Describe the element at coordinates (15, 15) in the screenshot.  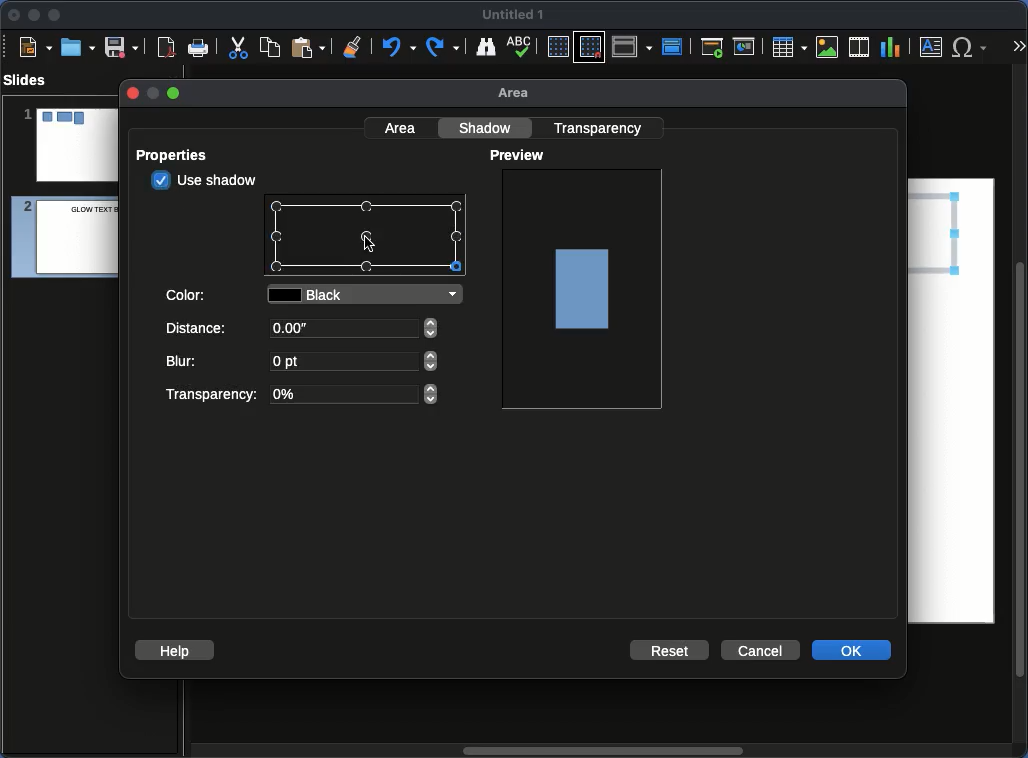
I see `Close` at that location.